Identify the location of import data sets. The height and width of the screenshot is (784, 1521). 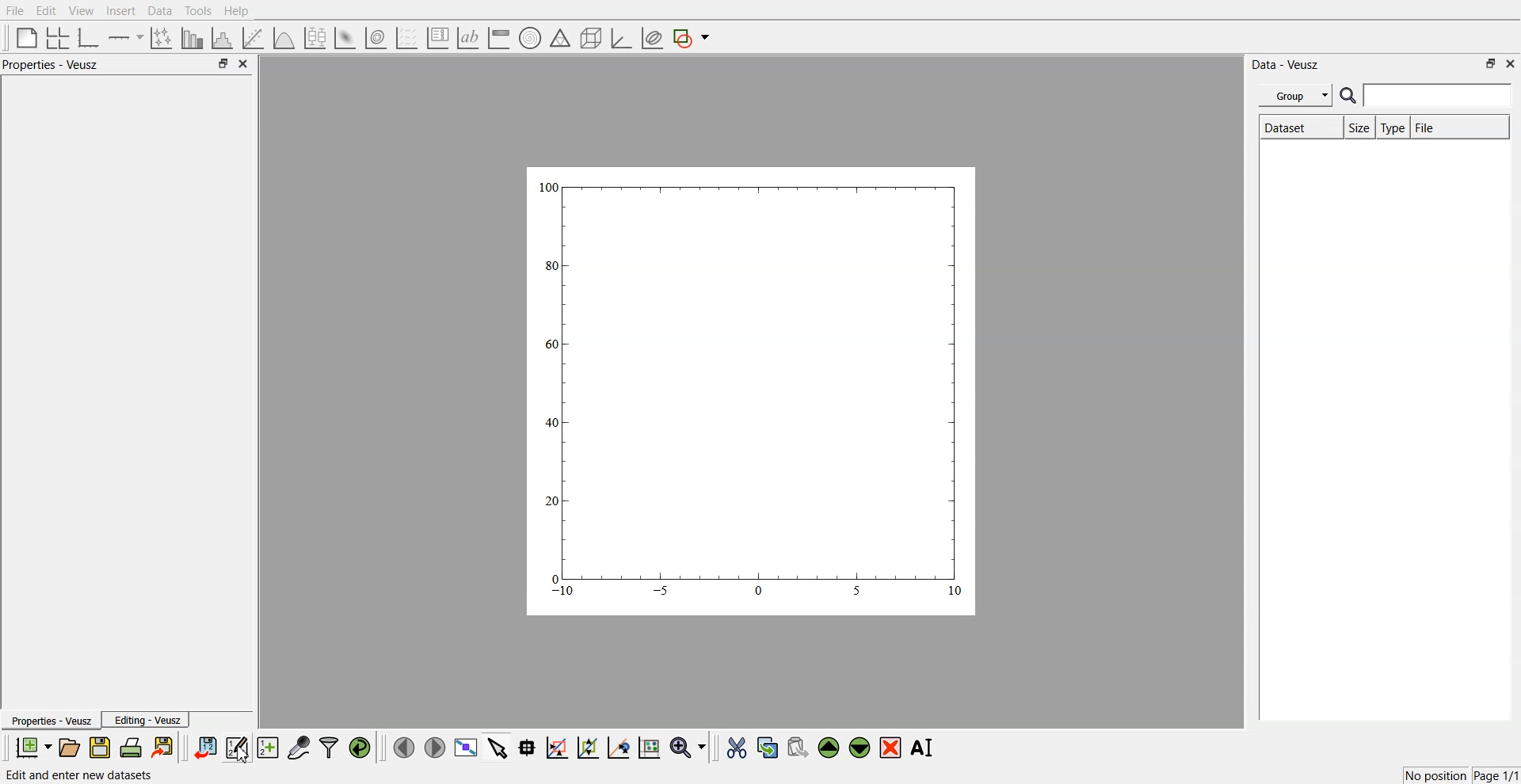
(204, 748).